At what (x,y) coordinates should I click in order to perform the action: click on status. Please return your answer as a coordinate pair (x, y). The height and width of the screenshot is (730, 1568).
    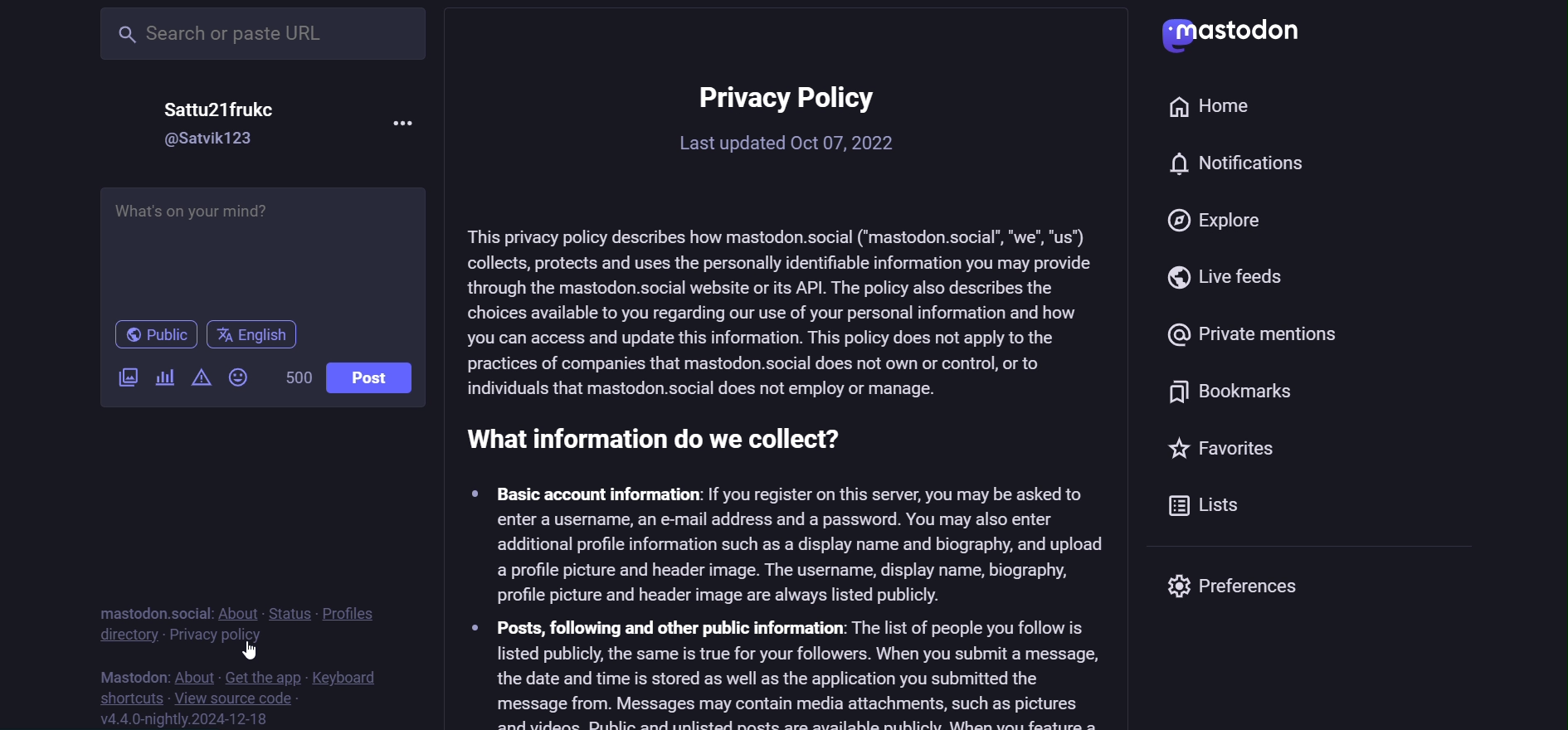
    Looking at the image, I should click on (289, 606).